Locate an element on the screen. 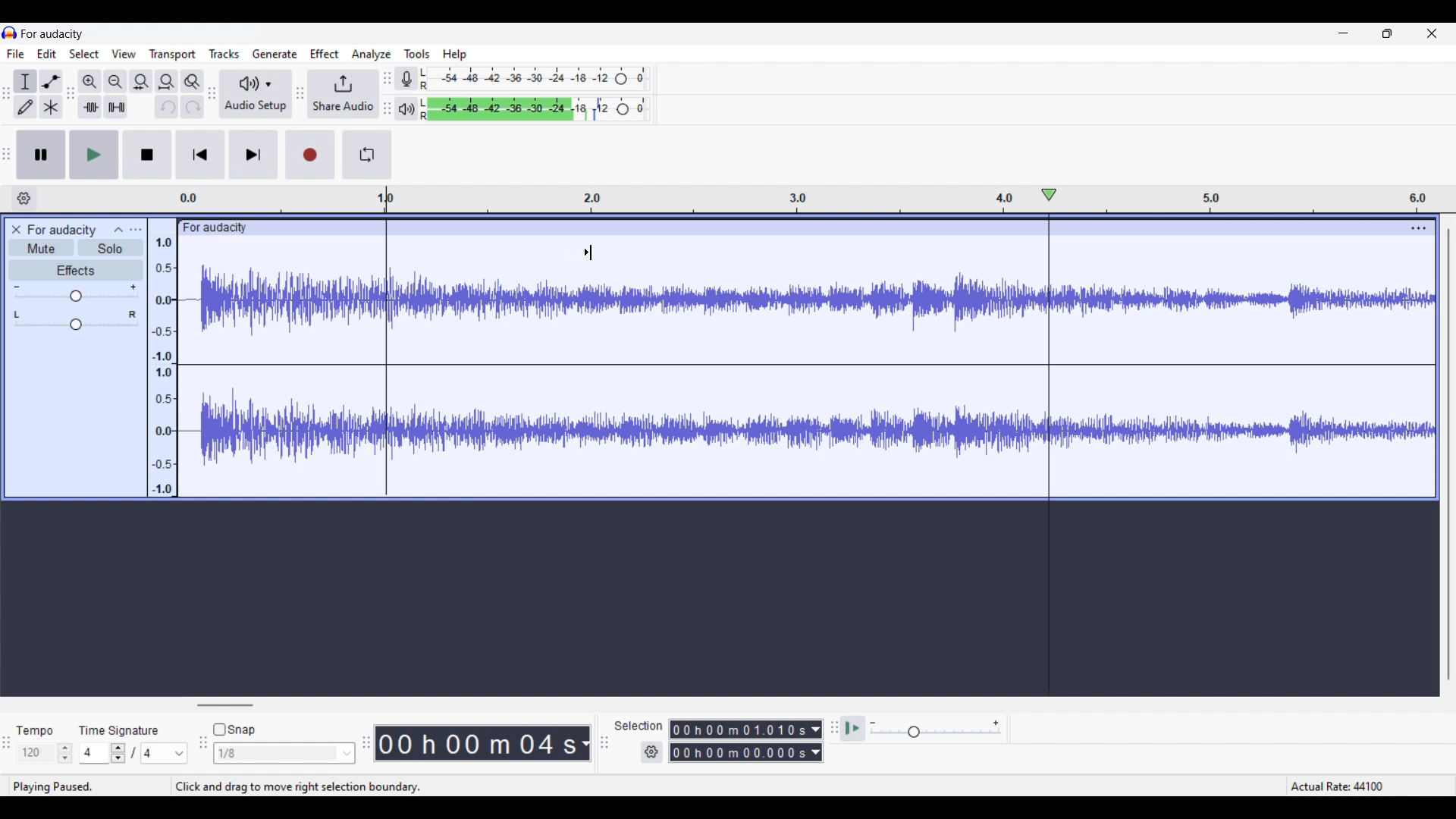 The image size is (1456, 819). Indicates selection duration is located at coordinates (638, 725).